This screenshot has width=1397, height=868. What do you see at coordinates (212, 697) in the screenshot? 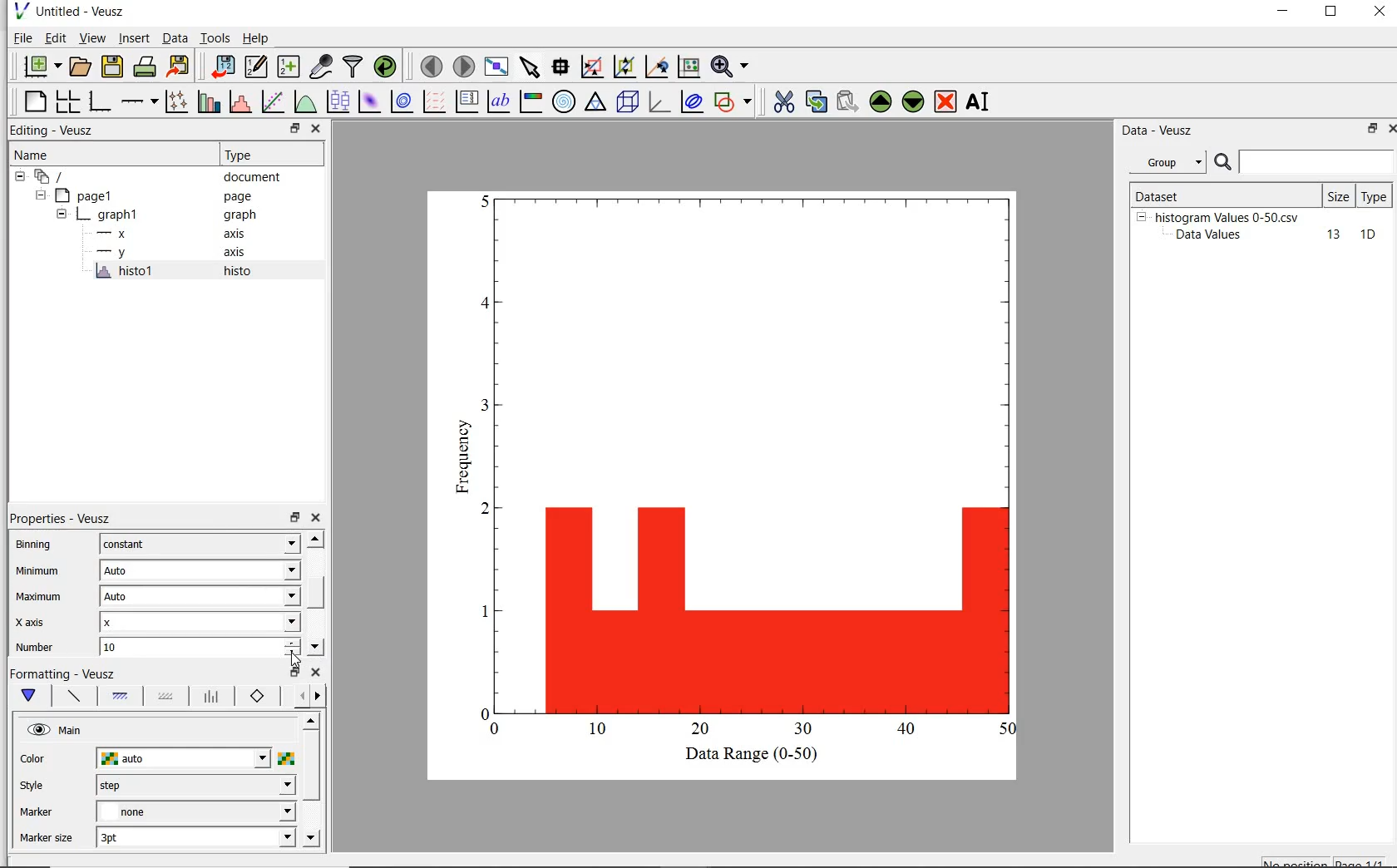
I see `post line` at bounding box center [212, 697].